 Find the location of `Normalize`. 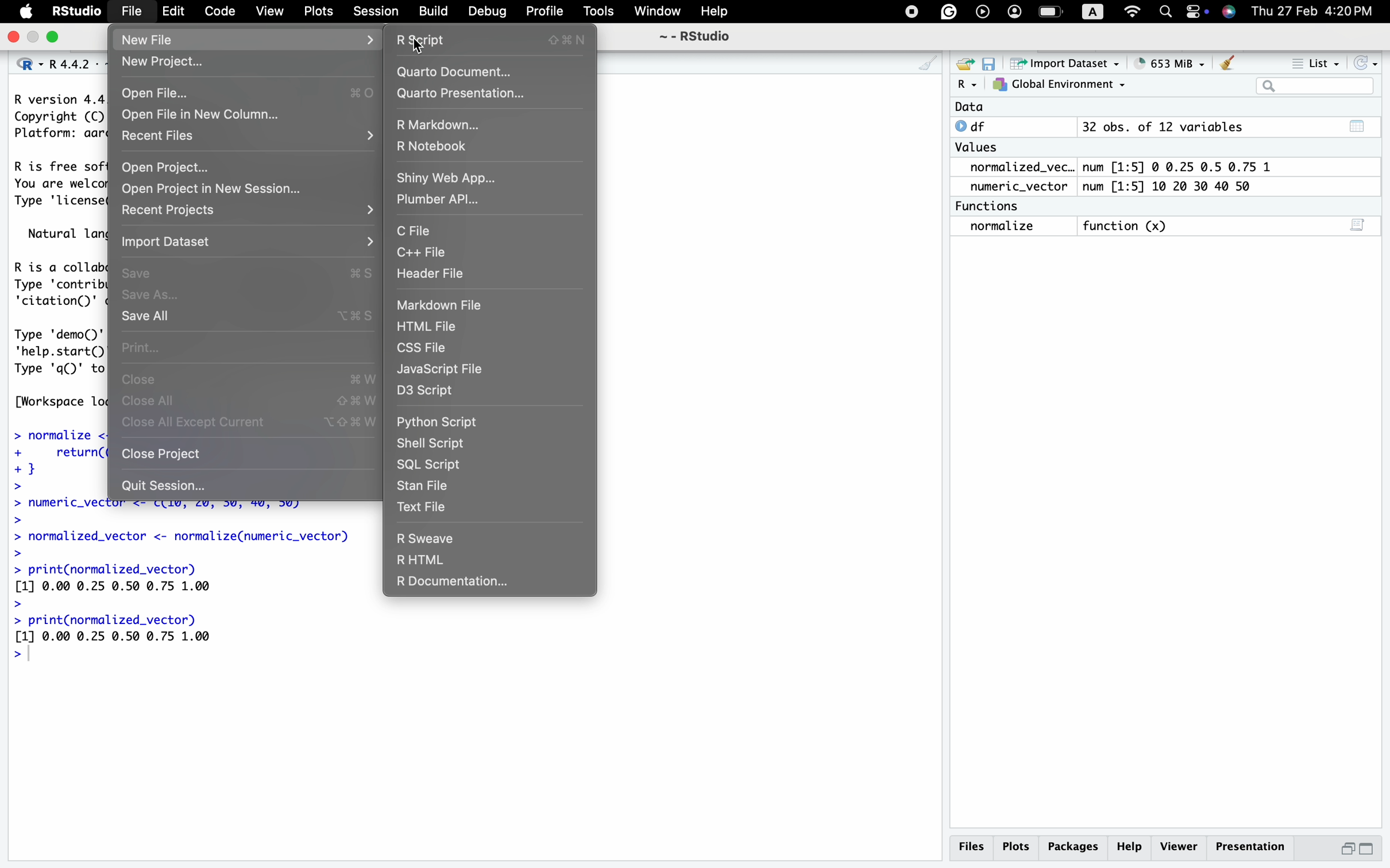

Normalize is located at coordinates (1004, 227).